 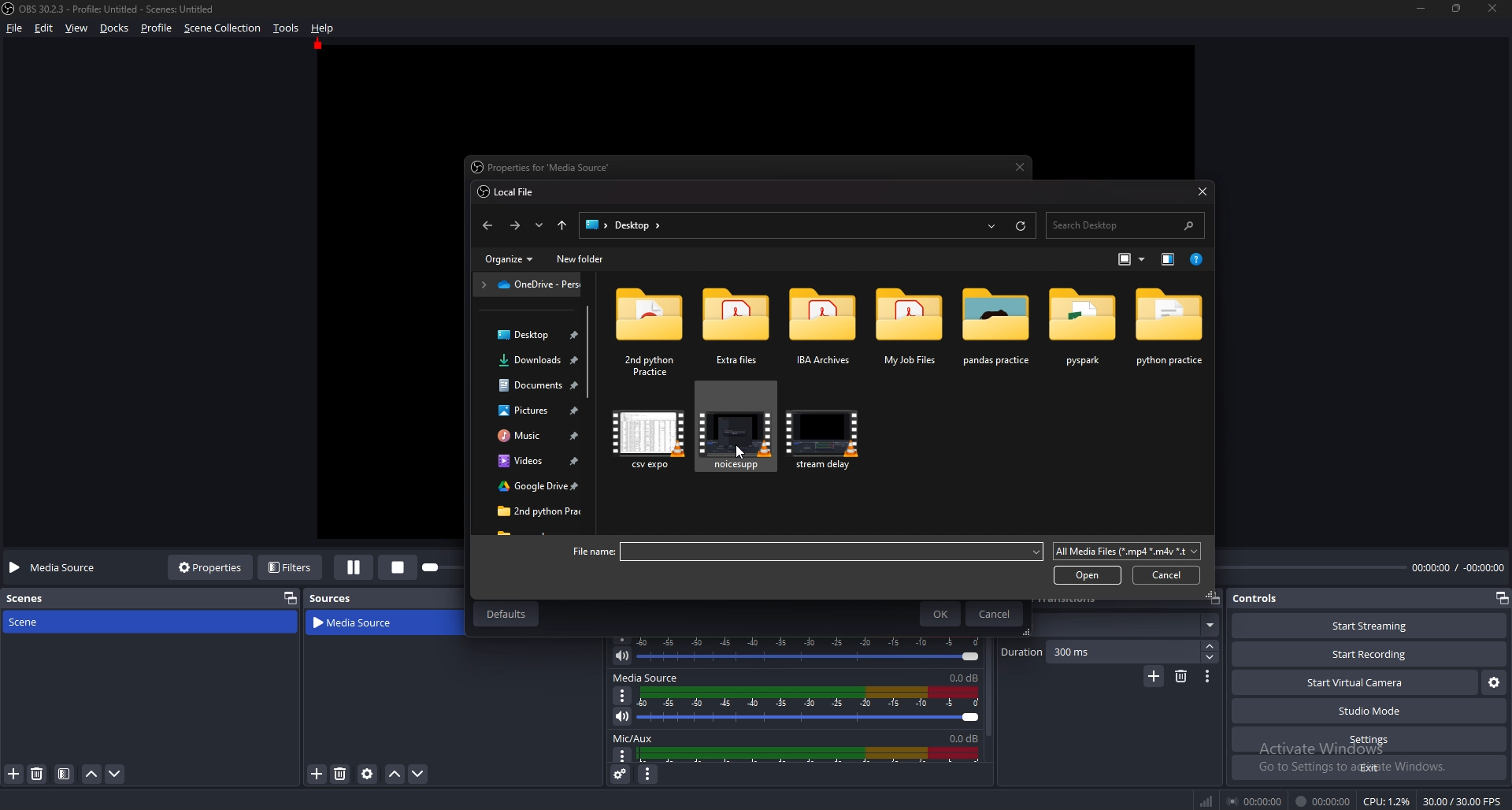 What do you see at coordinates (505, 614) in the screenshot?
I see `Defaults` at bounding box center [505, 614].